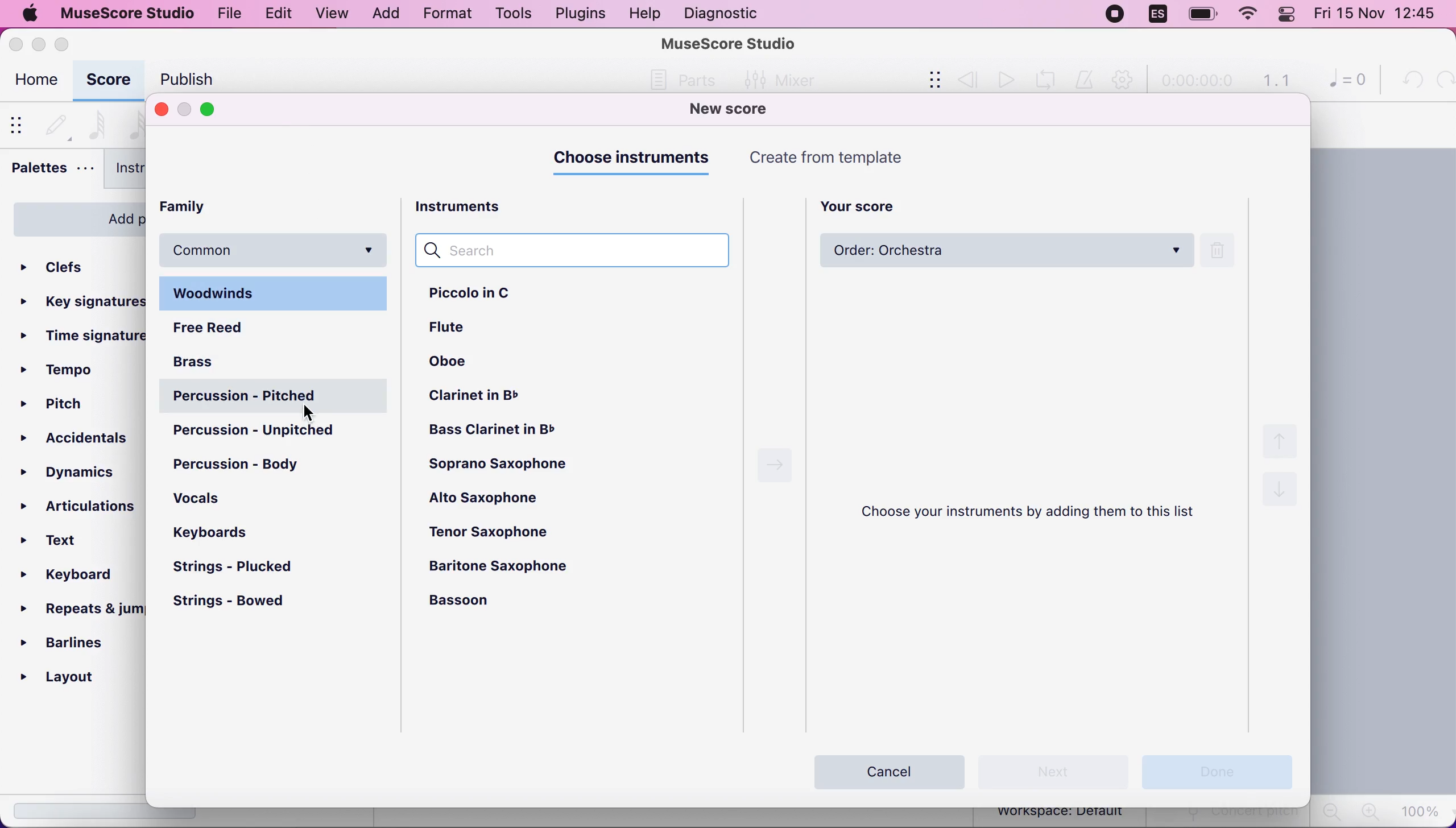 The width and height of the screenshot is (1456, 828). What do you see at coordinates (1283, 440) in the screenshot?
I see `up` at bounding box center [1283, 440].